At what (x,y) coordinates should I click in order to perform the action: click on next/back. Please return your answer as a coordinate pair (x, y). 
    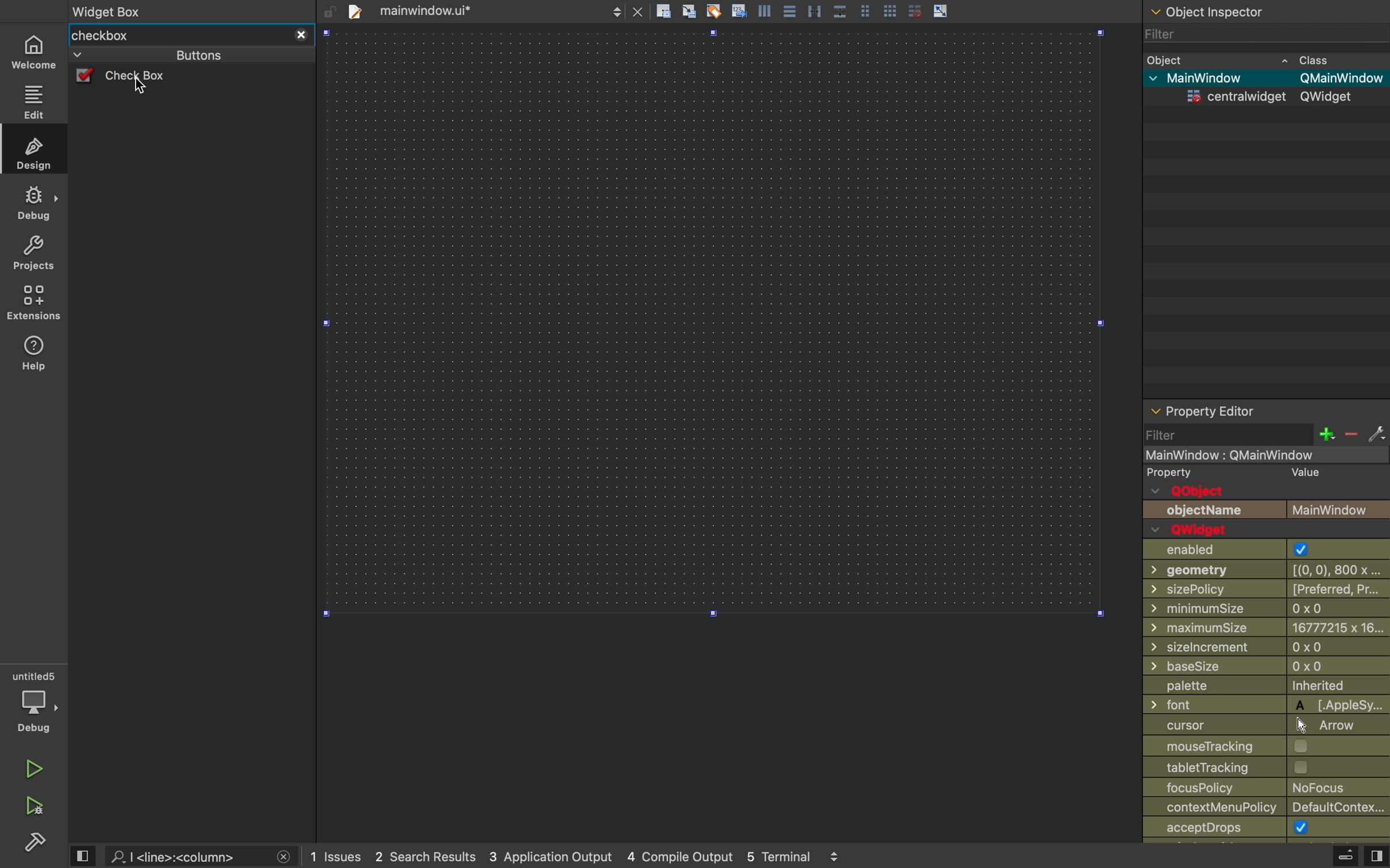
    Looking at the image, I should click on (617, 10).